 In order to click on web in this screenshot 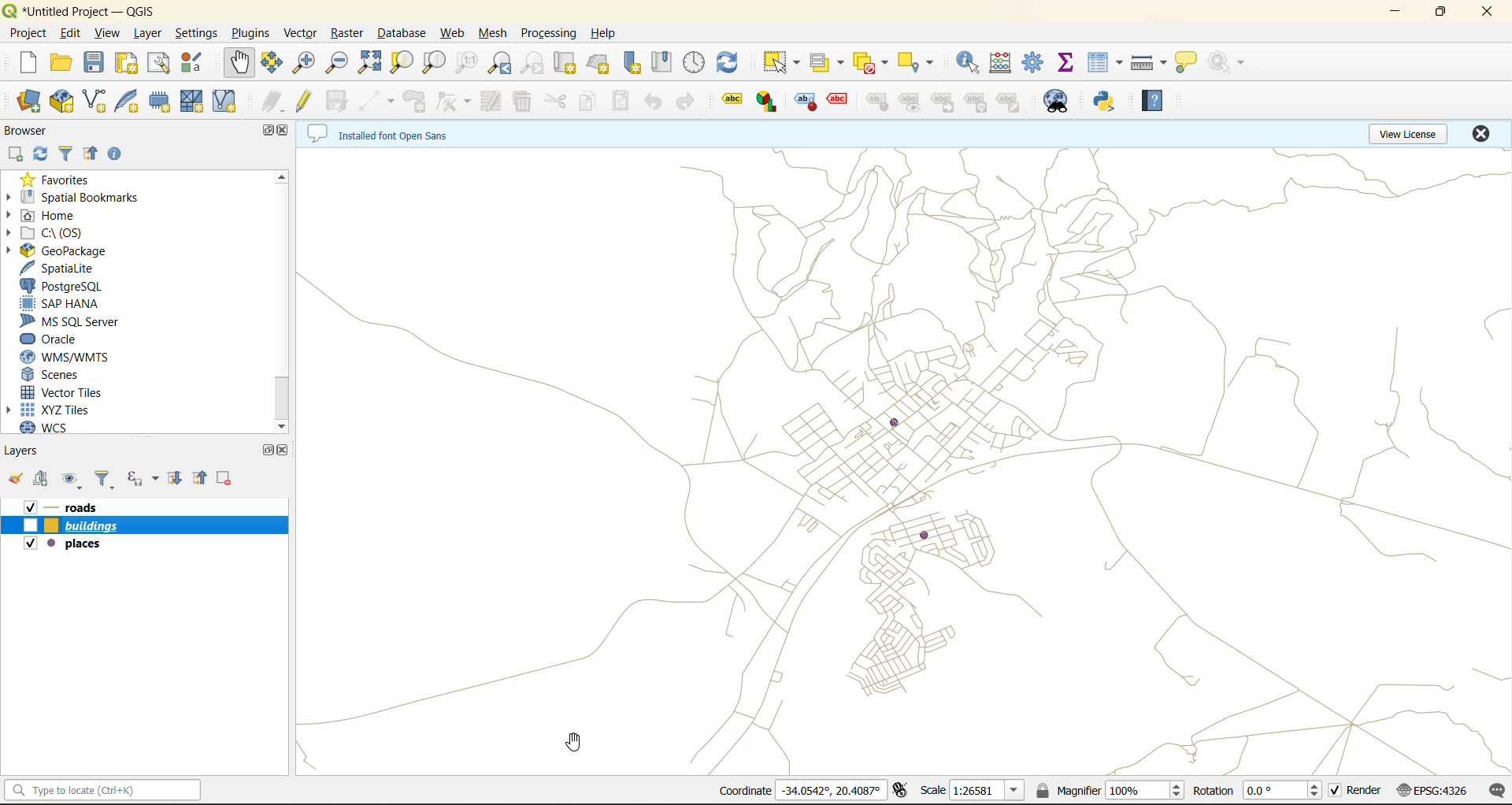, I will do `click(454, 35)`.